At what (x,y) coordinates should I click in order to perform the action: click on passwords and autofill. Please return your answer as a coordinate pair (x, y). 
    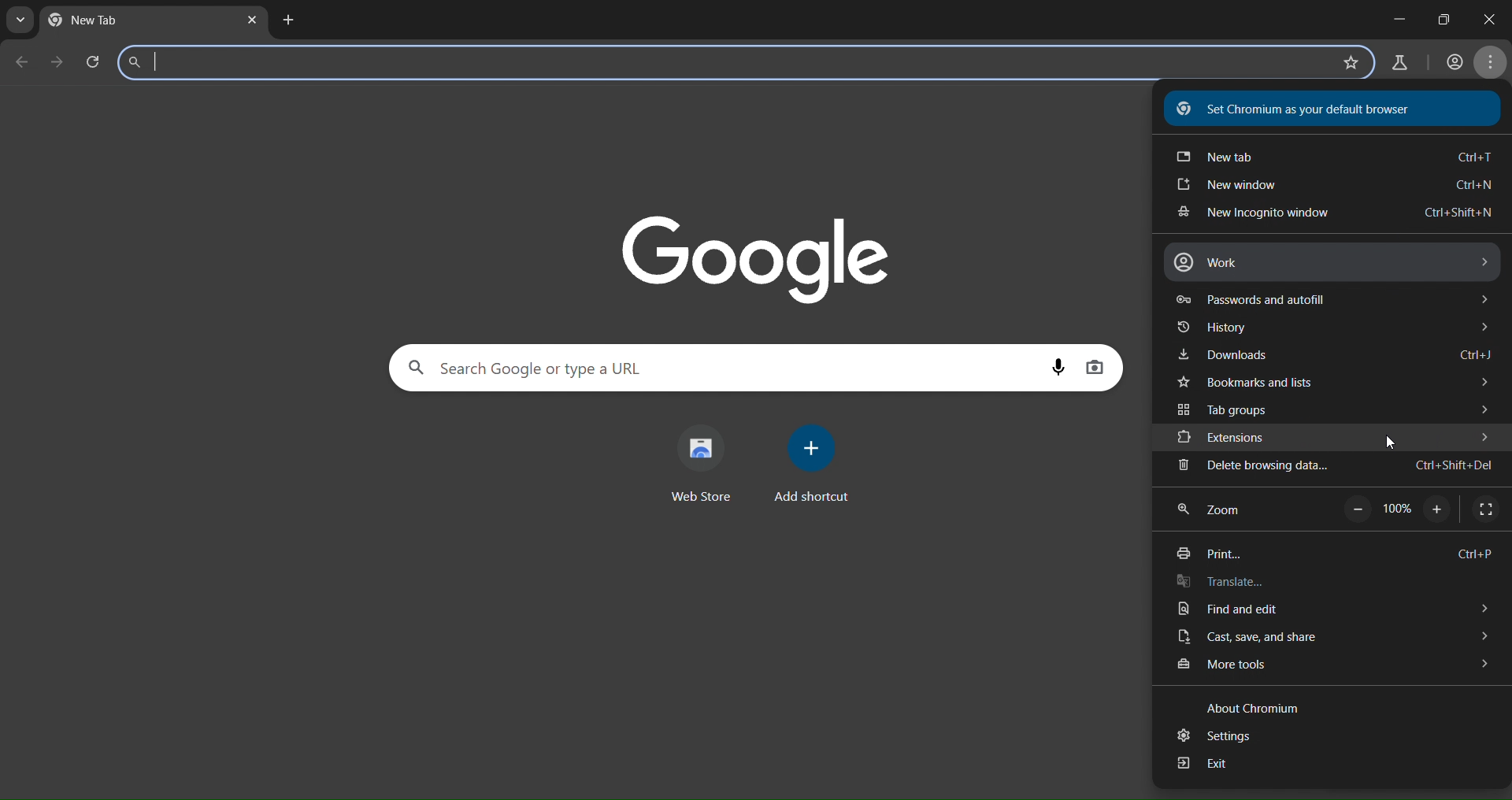
    Looking at the image, I should click on (1336, 299).